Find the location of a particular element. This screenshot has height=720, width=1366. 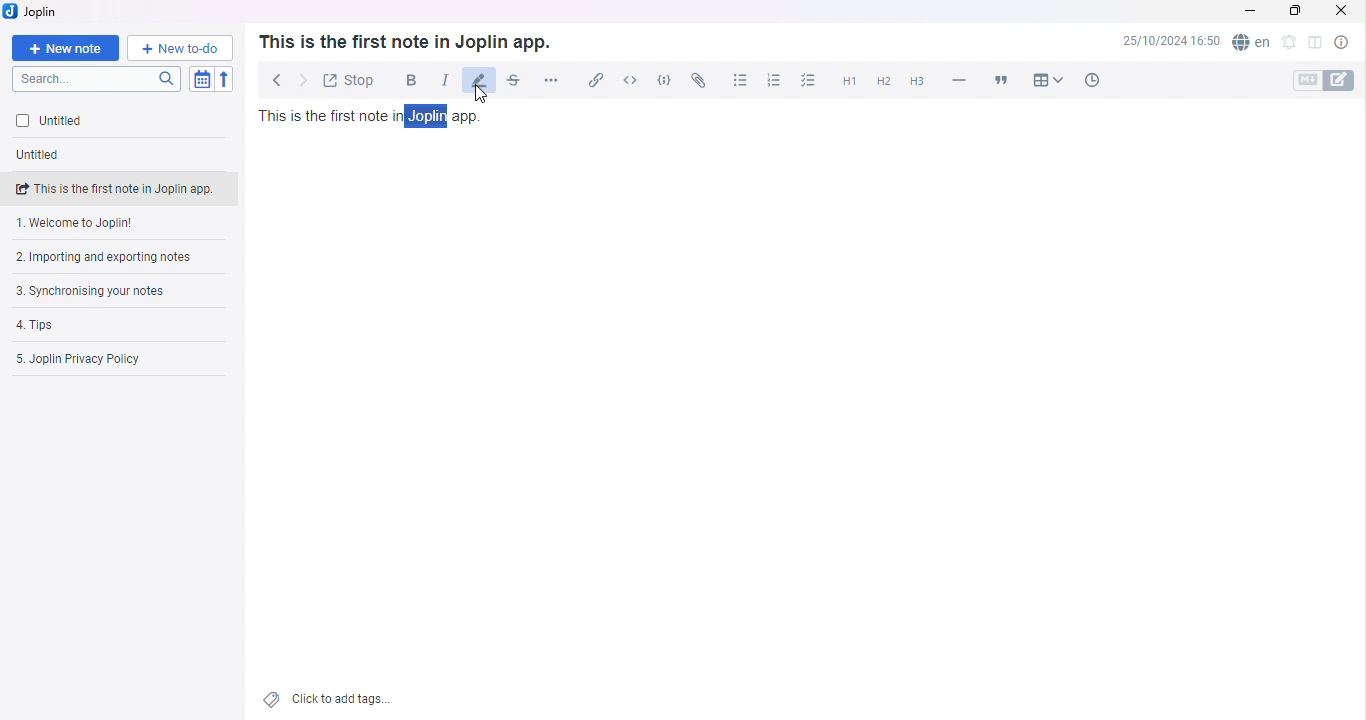

Toggle editor layout is located at coordinates (1312, 44).